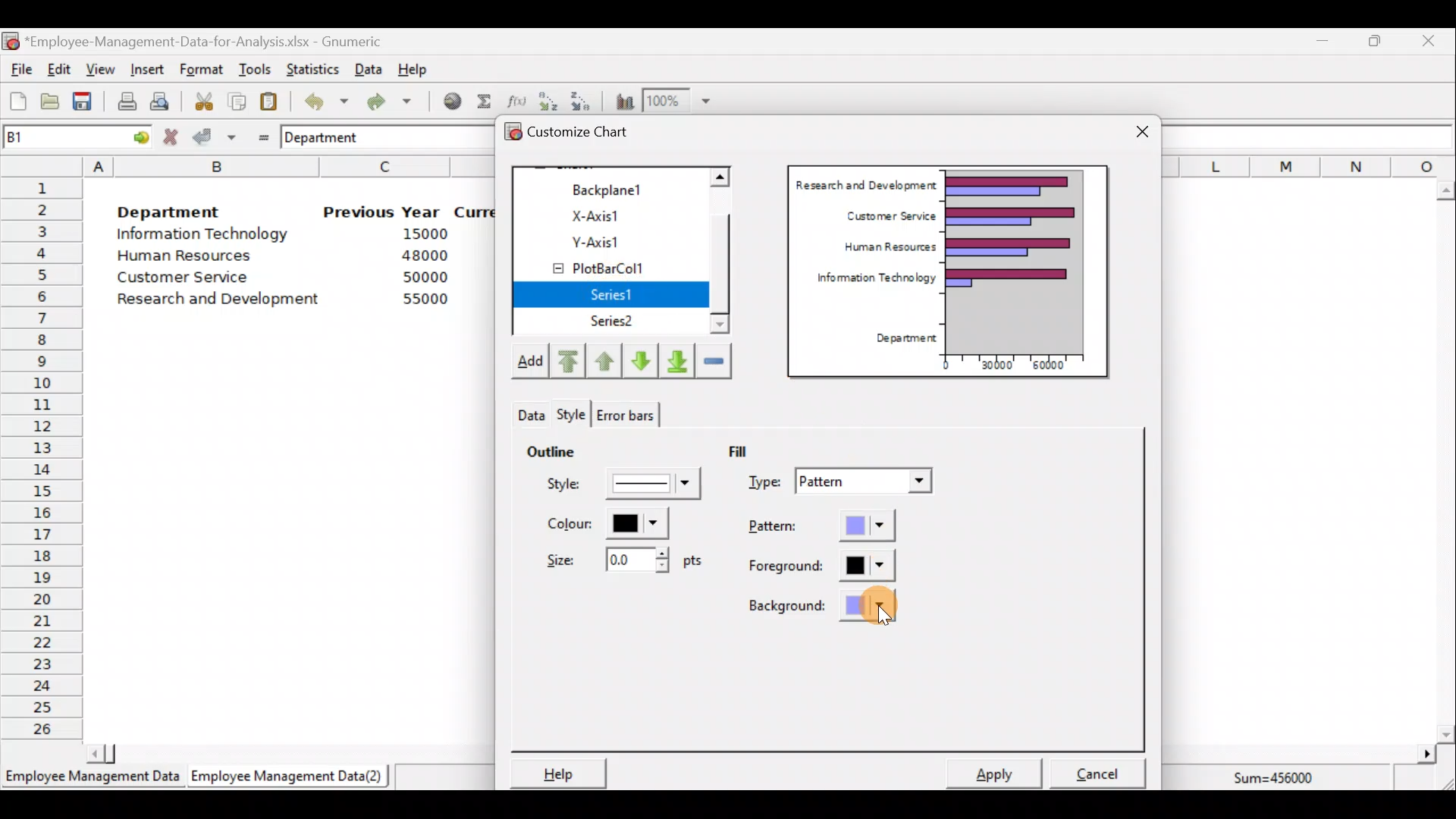 Image resolution: width=1456 pixels, height=819 pixels. I want to click on Outline, so click(551, 449).